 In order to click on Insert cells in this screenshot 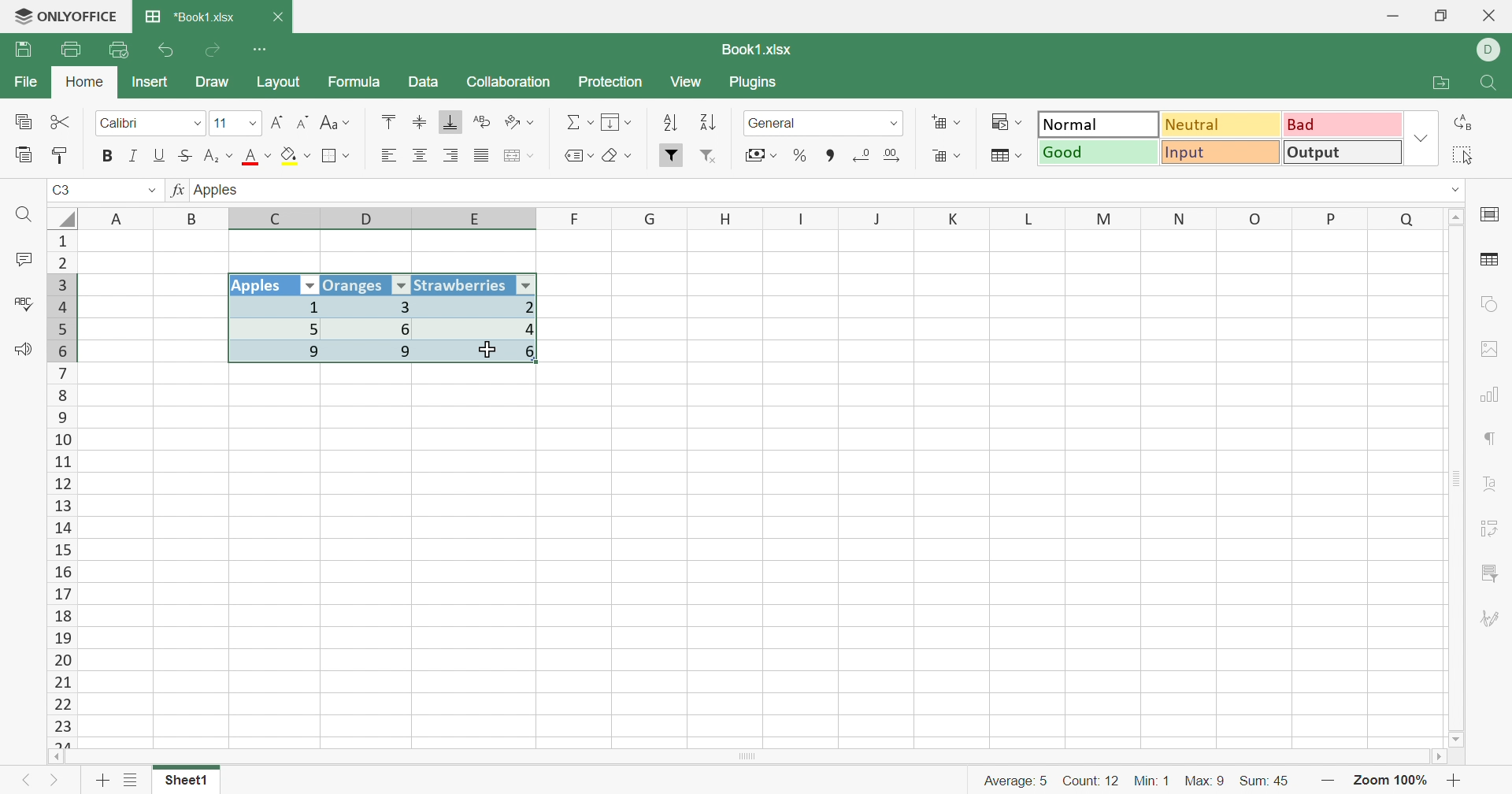, I will do `click(947, 124)`.